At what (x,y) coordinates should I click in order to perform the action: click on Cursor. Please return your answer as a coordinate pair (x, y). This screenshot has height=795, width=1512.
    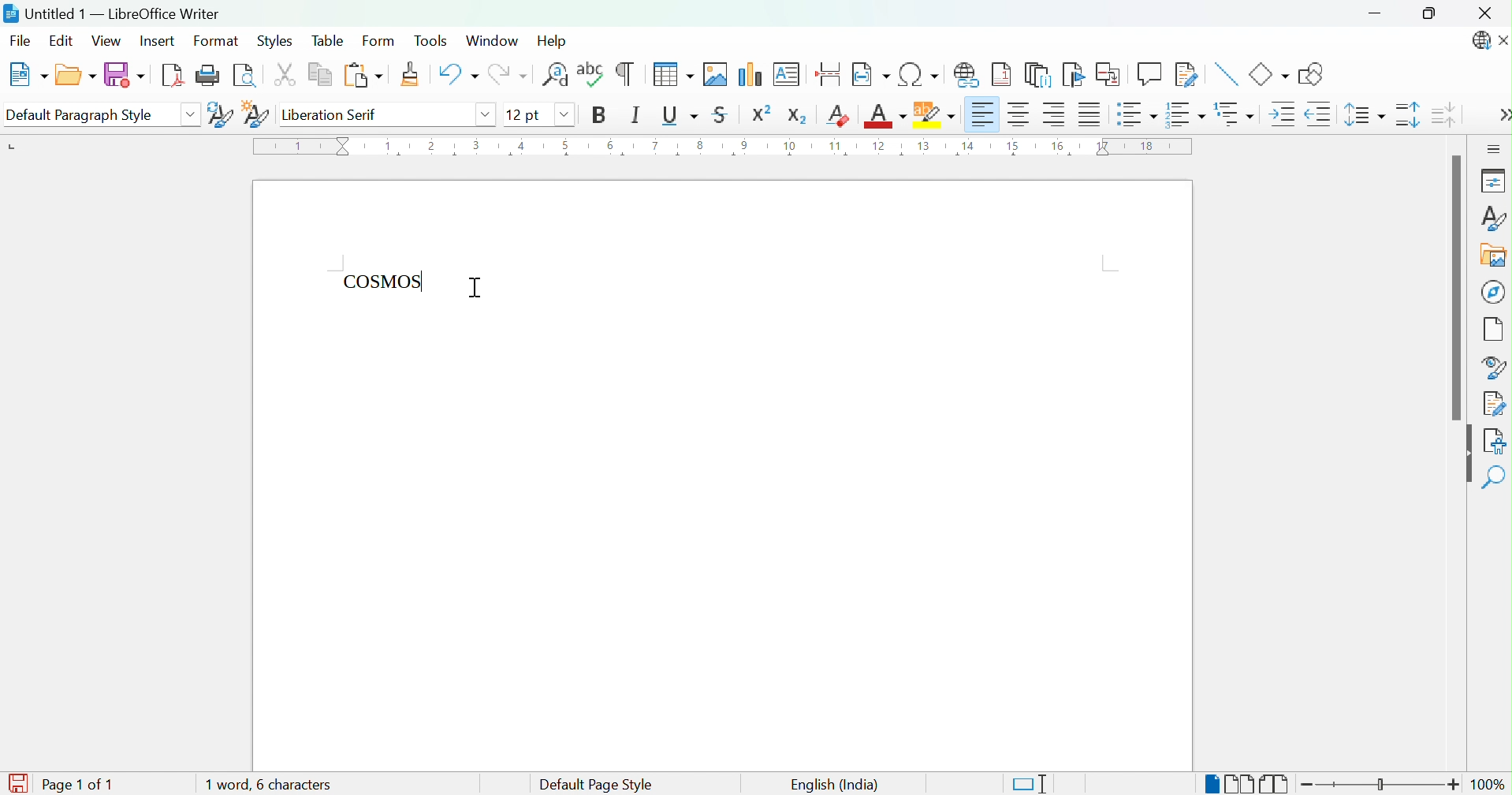
    Looking at the image, I should click on (475, 286).